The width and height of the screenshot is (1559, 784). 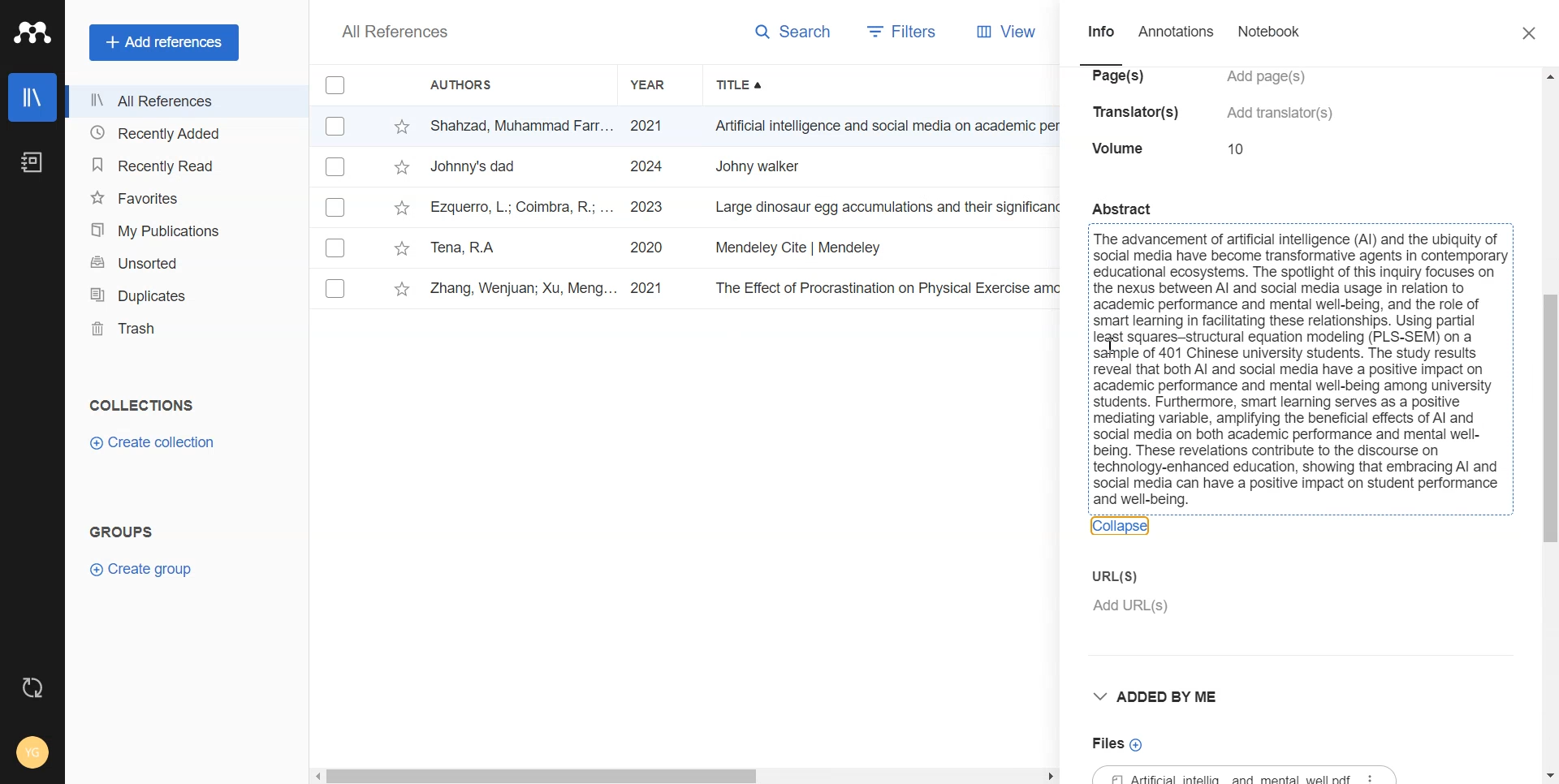 I want to click on My Publications, so click(x=175, y=231).